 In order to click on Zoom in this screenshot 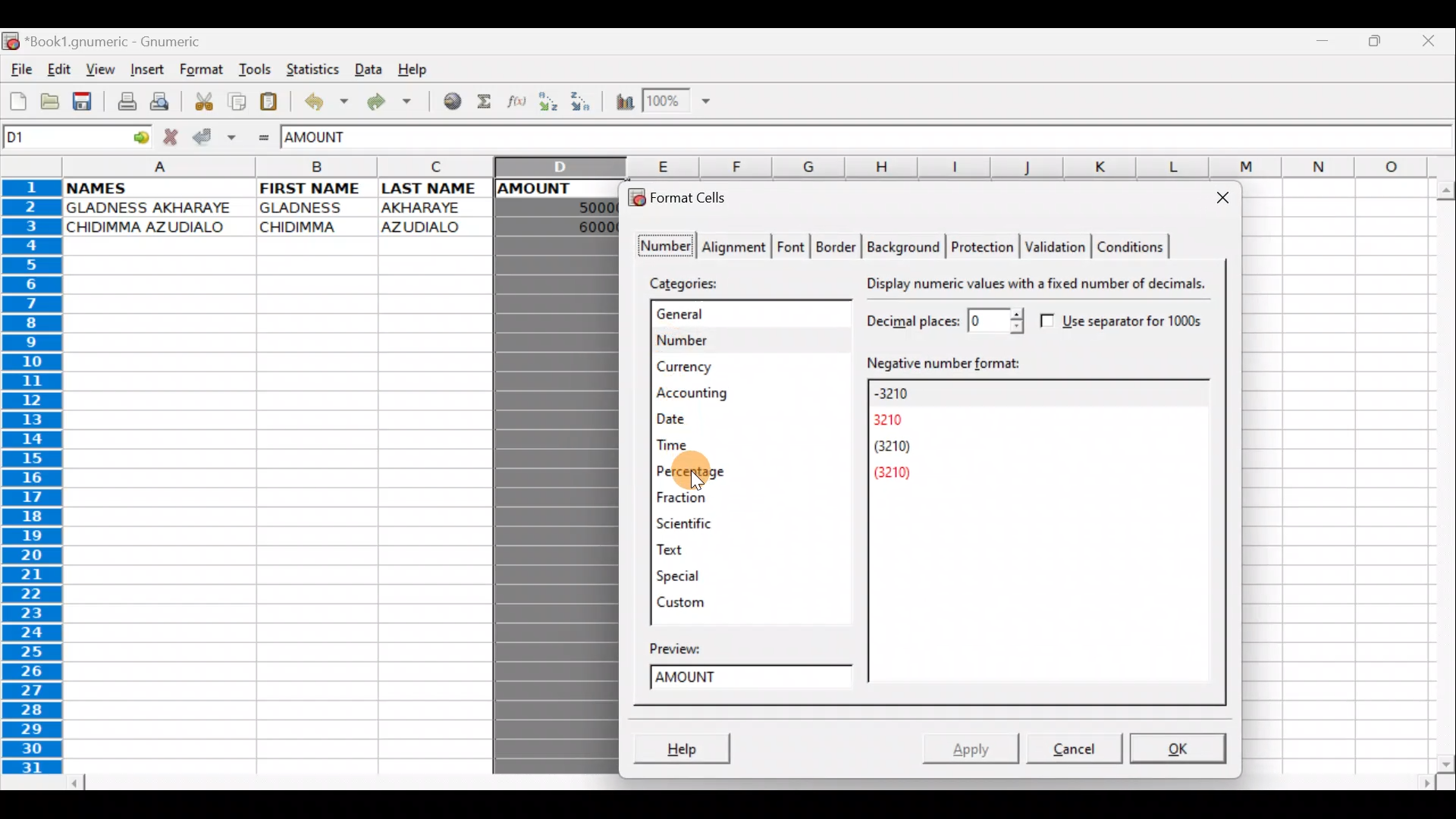, I will do `click(679, 102)`.